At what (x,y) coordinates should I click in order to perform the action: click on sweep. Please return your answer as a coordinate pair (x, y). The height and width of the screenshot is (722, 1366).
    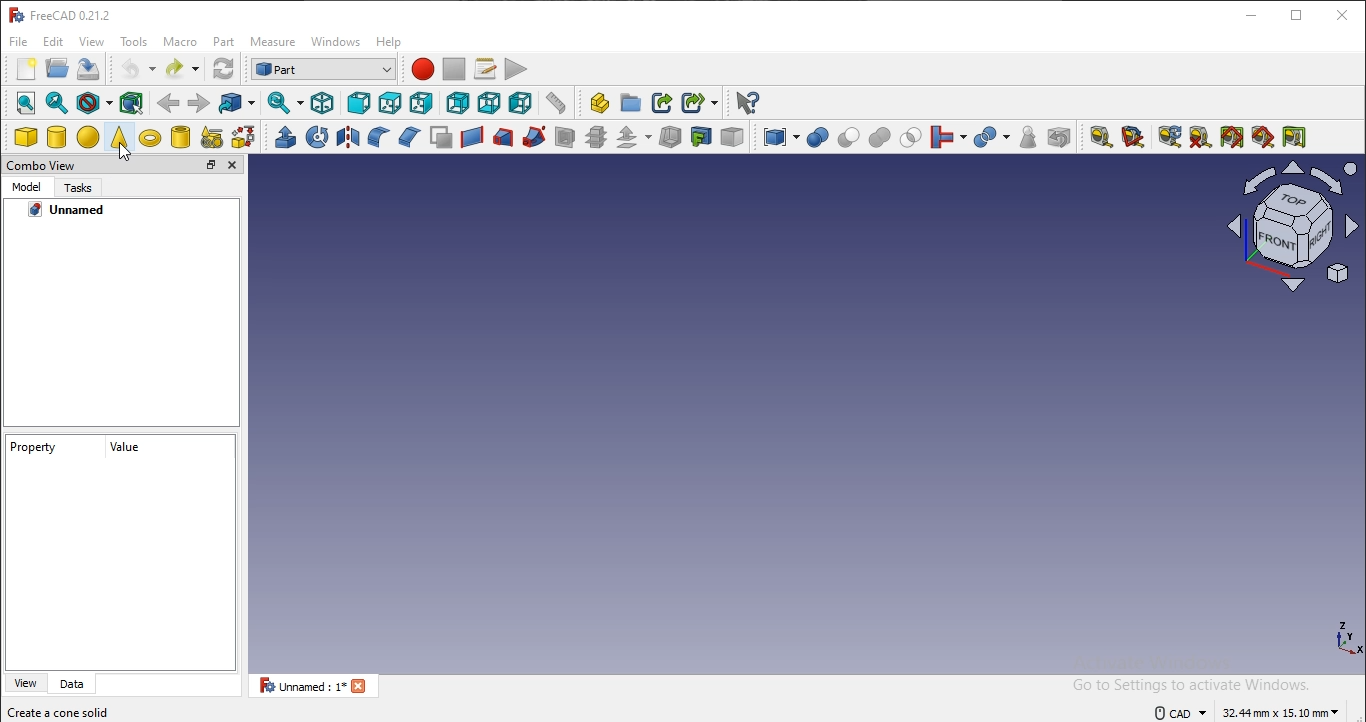
    Looking at the image, I should click on (533, 137).